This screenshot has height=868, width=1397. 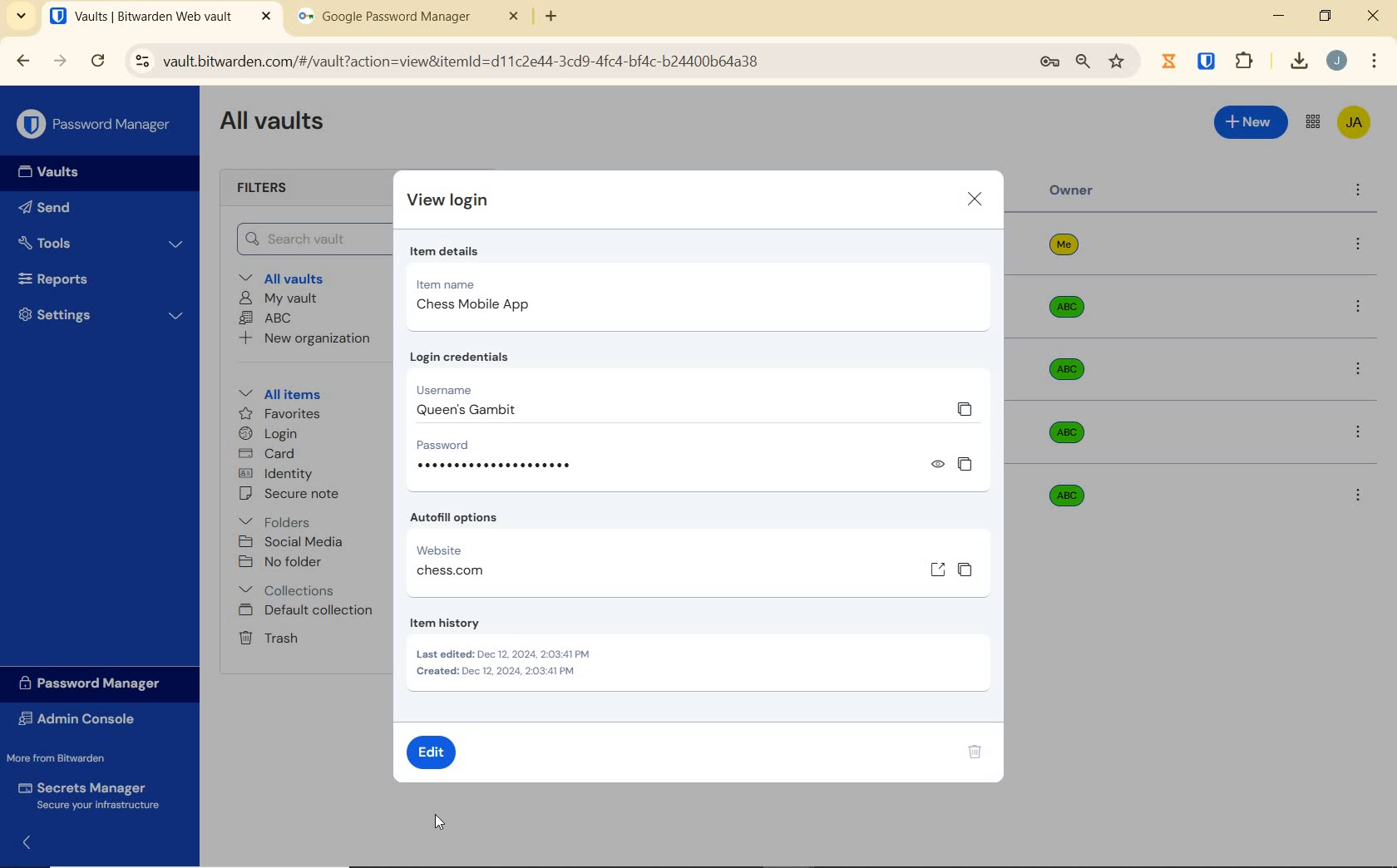 I want to click on Autofill options, so click(x=457, y=518).